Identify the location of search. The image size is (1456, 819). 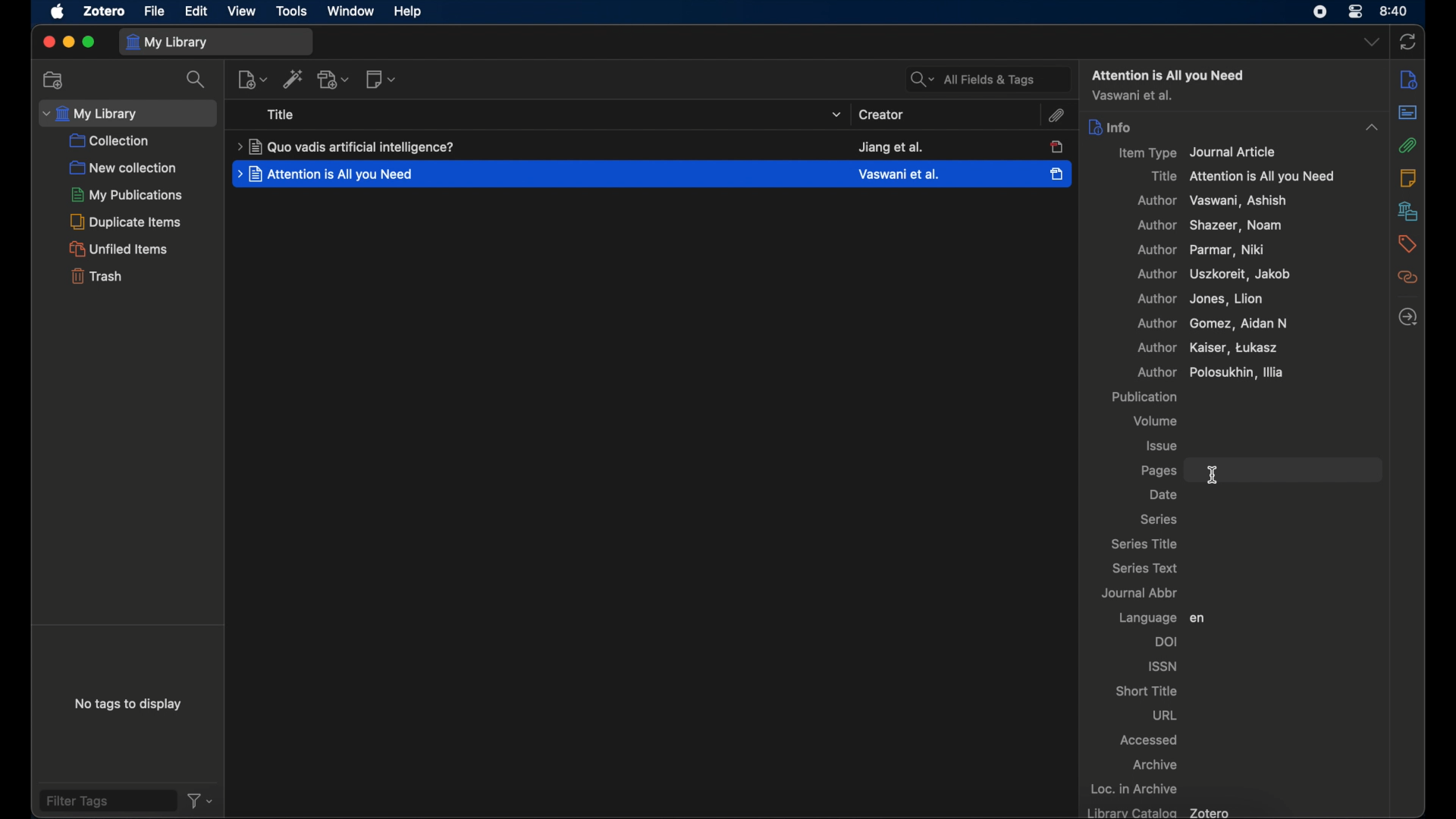
(195, 80).